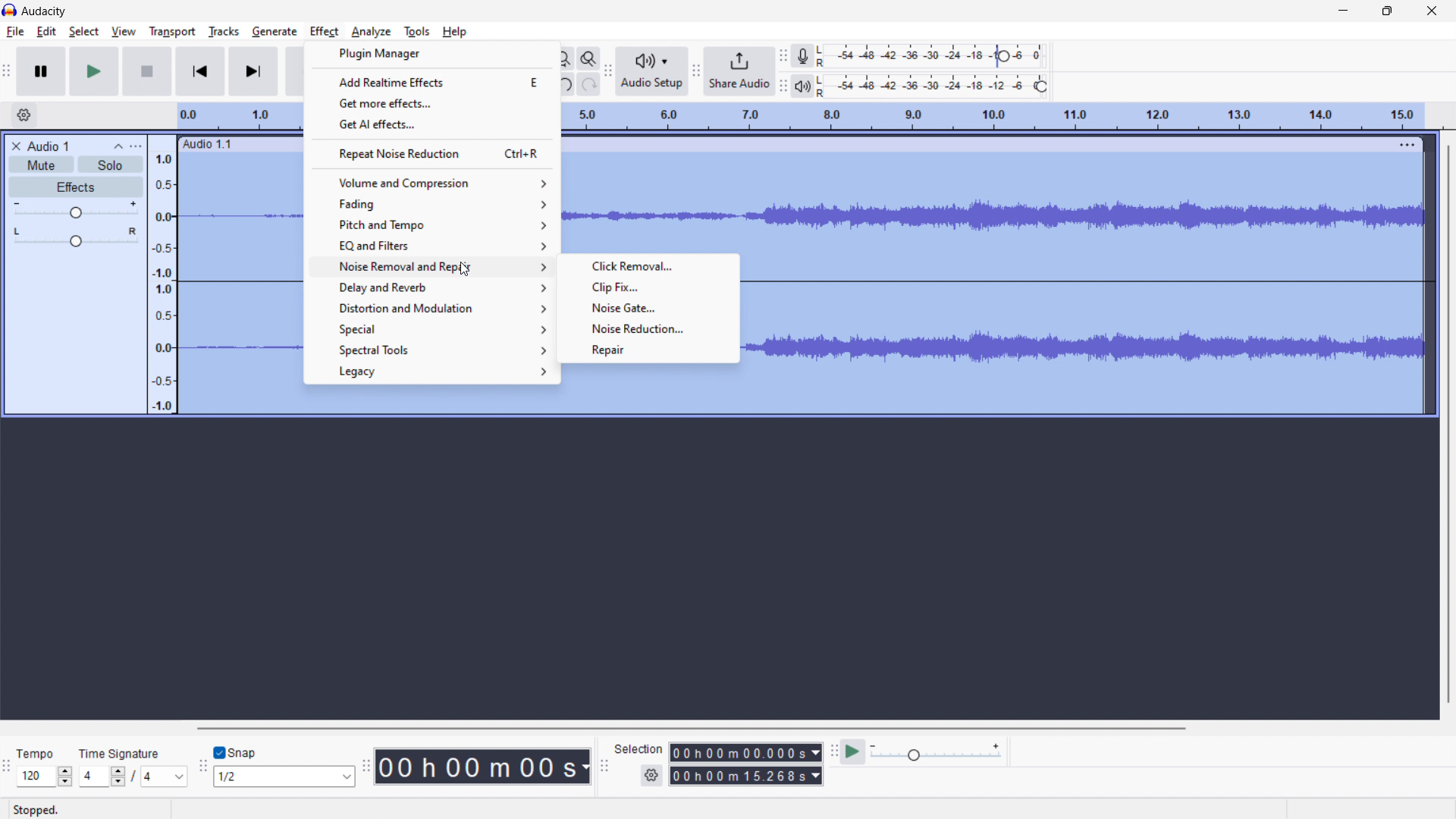  I want to click on fading, so click(431, 204).